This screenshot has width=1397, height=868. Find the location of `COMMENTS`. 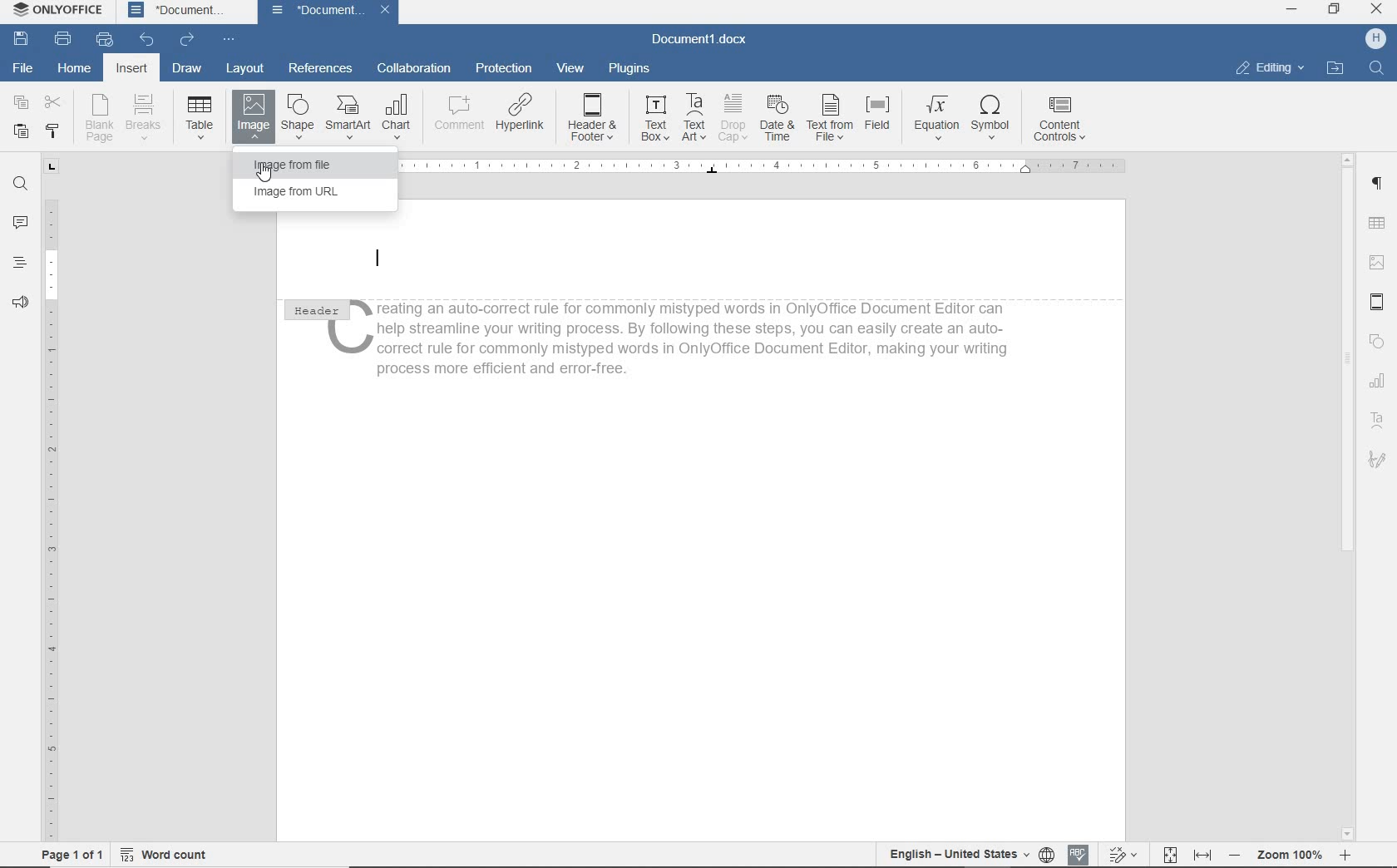

COMMENTS is located at coordinates (19, 221).